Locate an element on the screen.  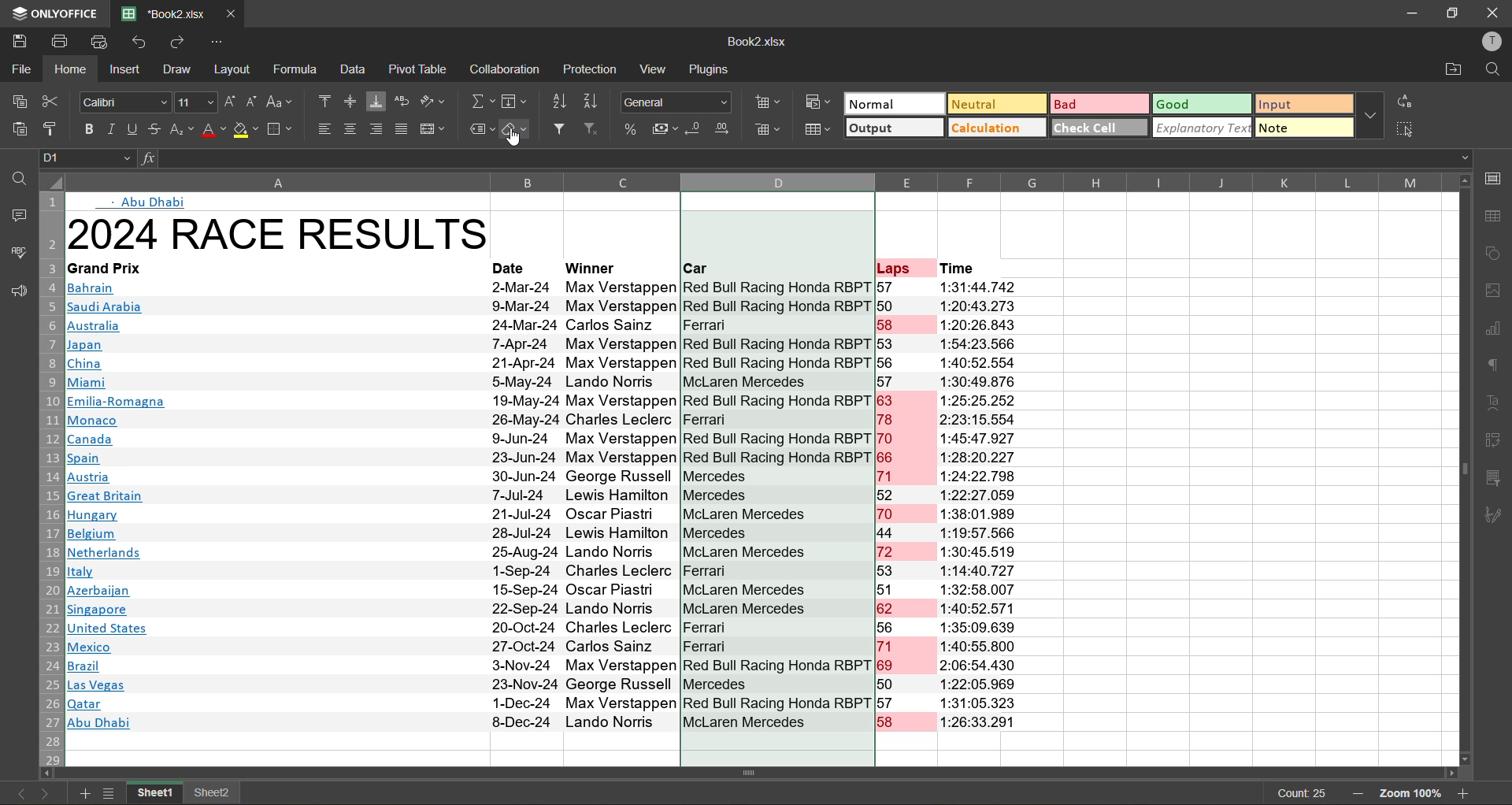
Canada 9.Jun-24 Max Verstappen Red Bull Racing Honda RBPT 70 1:45:47 .927 is located at coordinates (540, 439).